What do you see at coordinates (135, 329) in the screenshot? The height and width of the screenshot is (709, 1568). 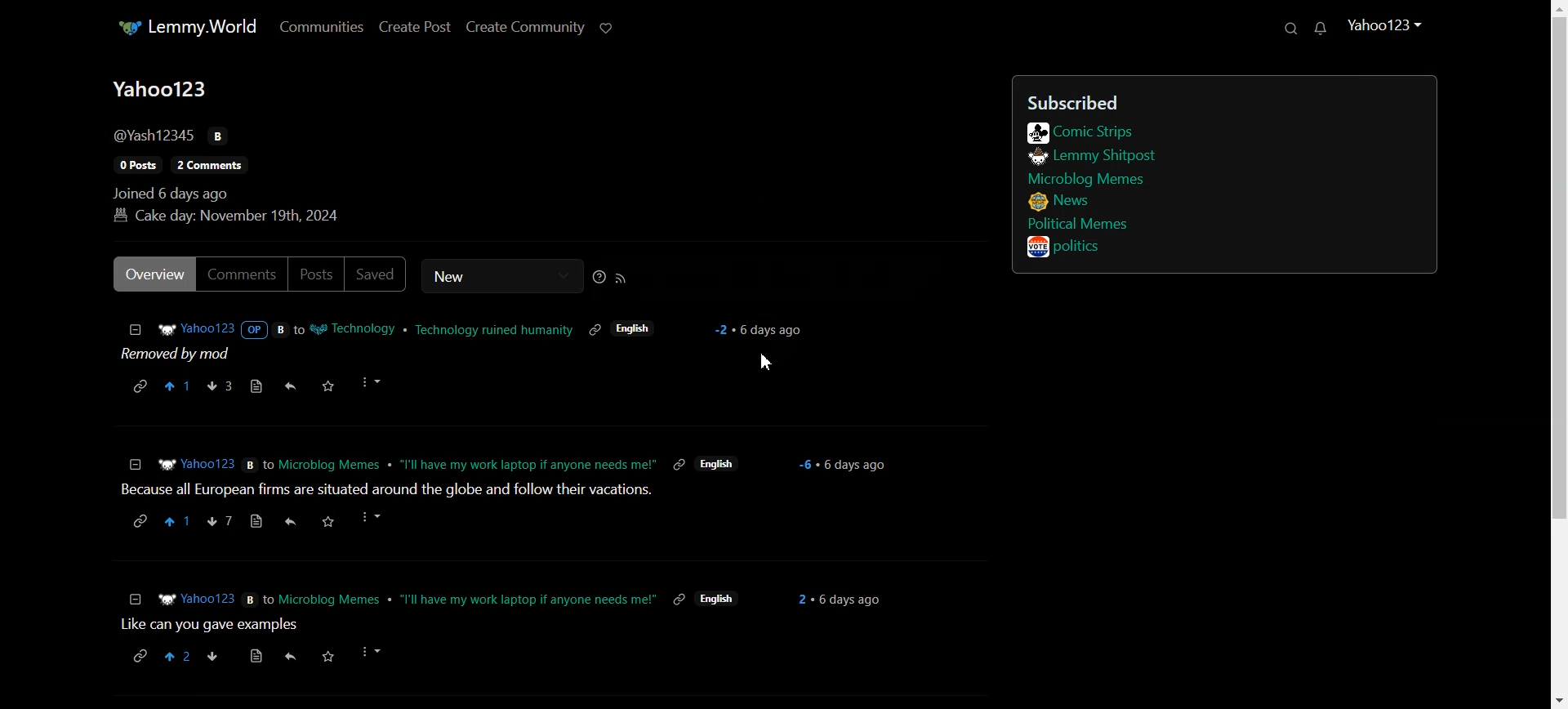 I see `Collapse` at bounding box center [135, 329].